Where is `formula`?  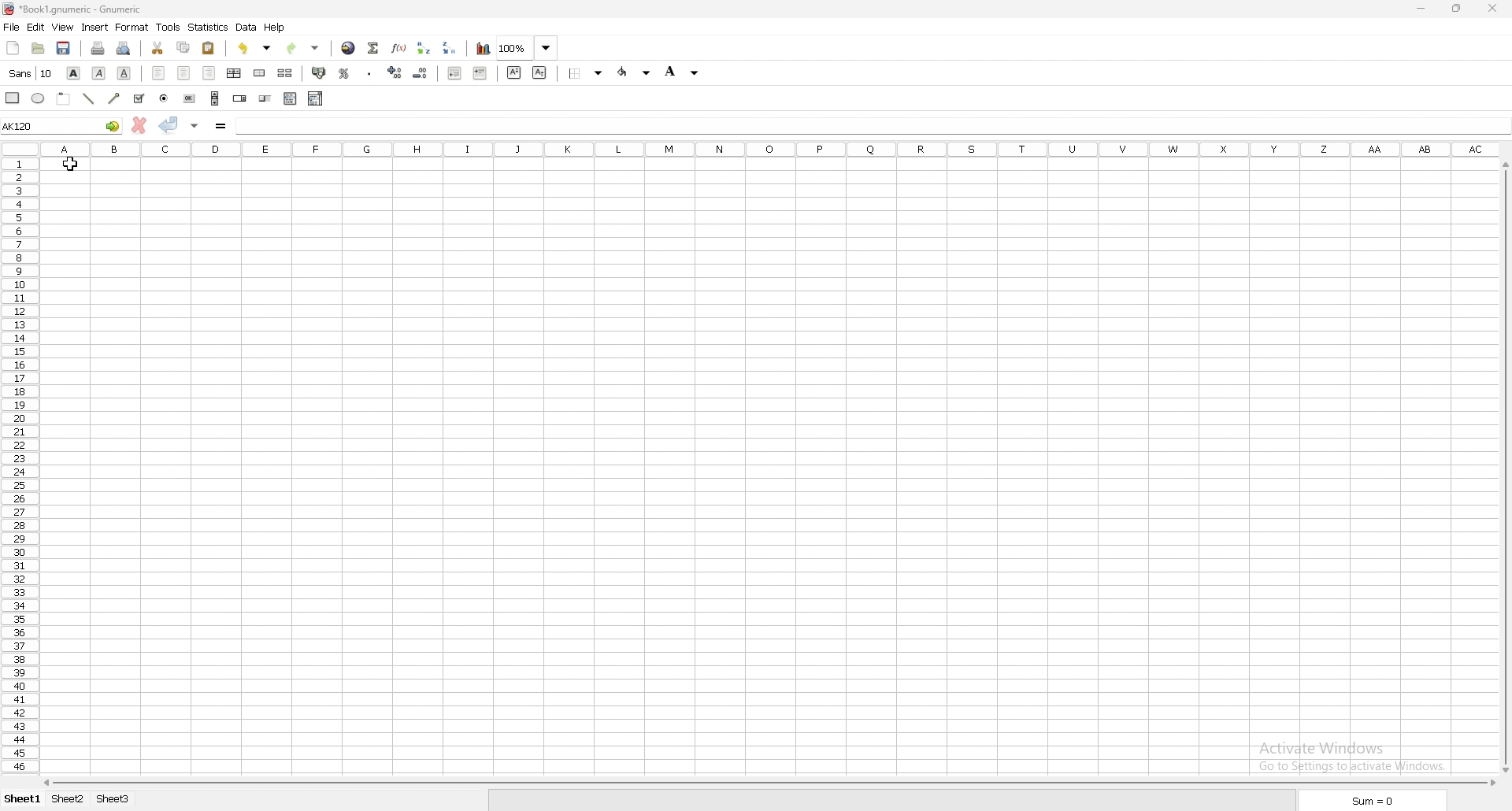
formula is located at coordinates (221, 126).